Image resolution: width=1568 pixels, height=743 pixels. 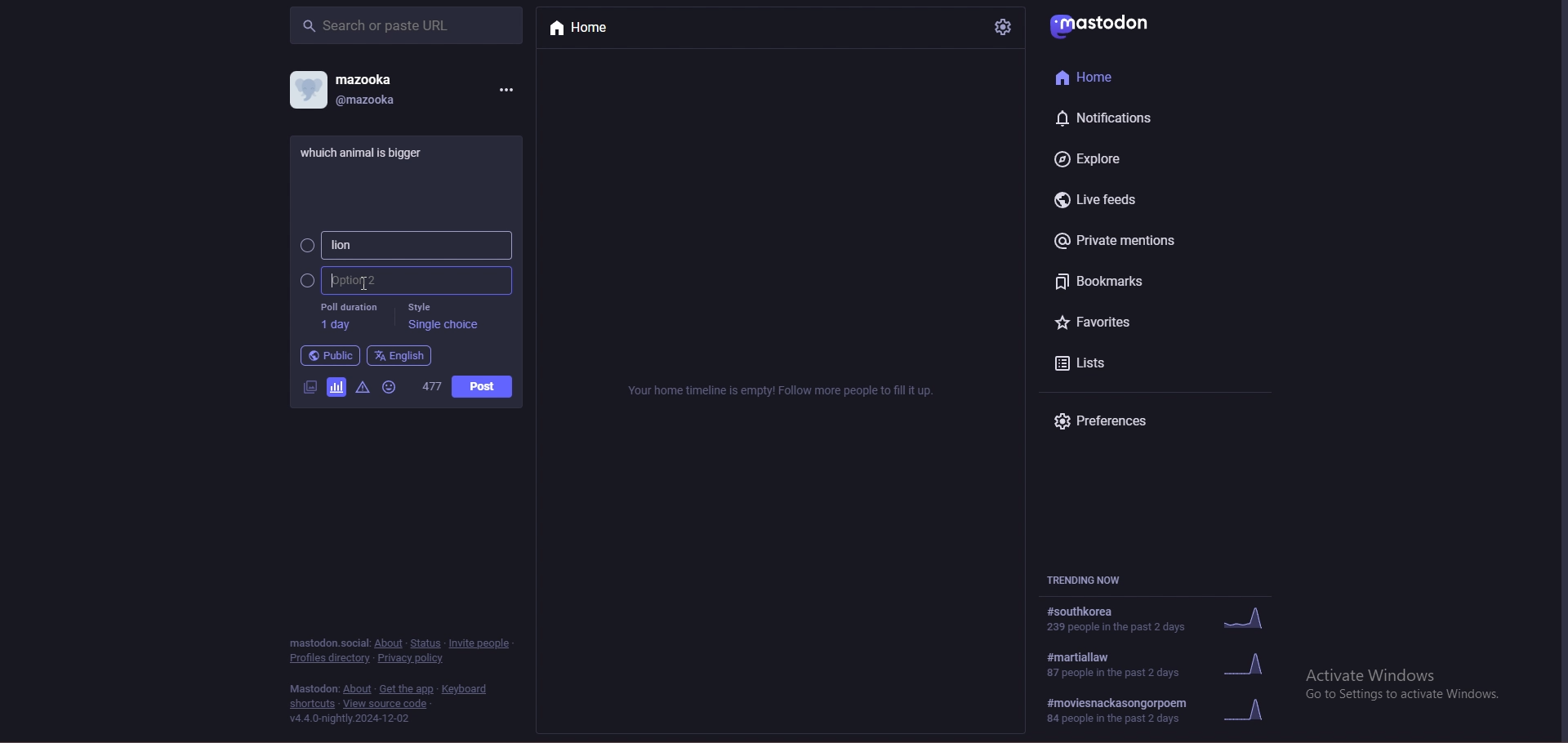 I want to click on explore, so click(x=1111, y=158).